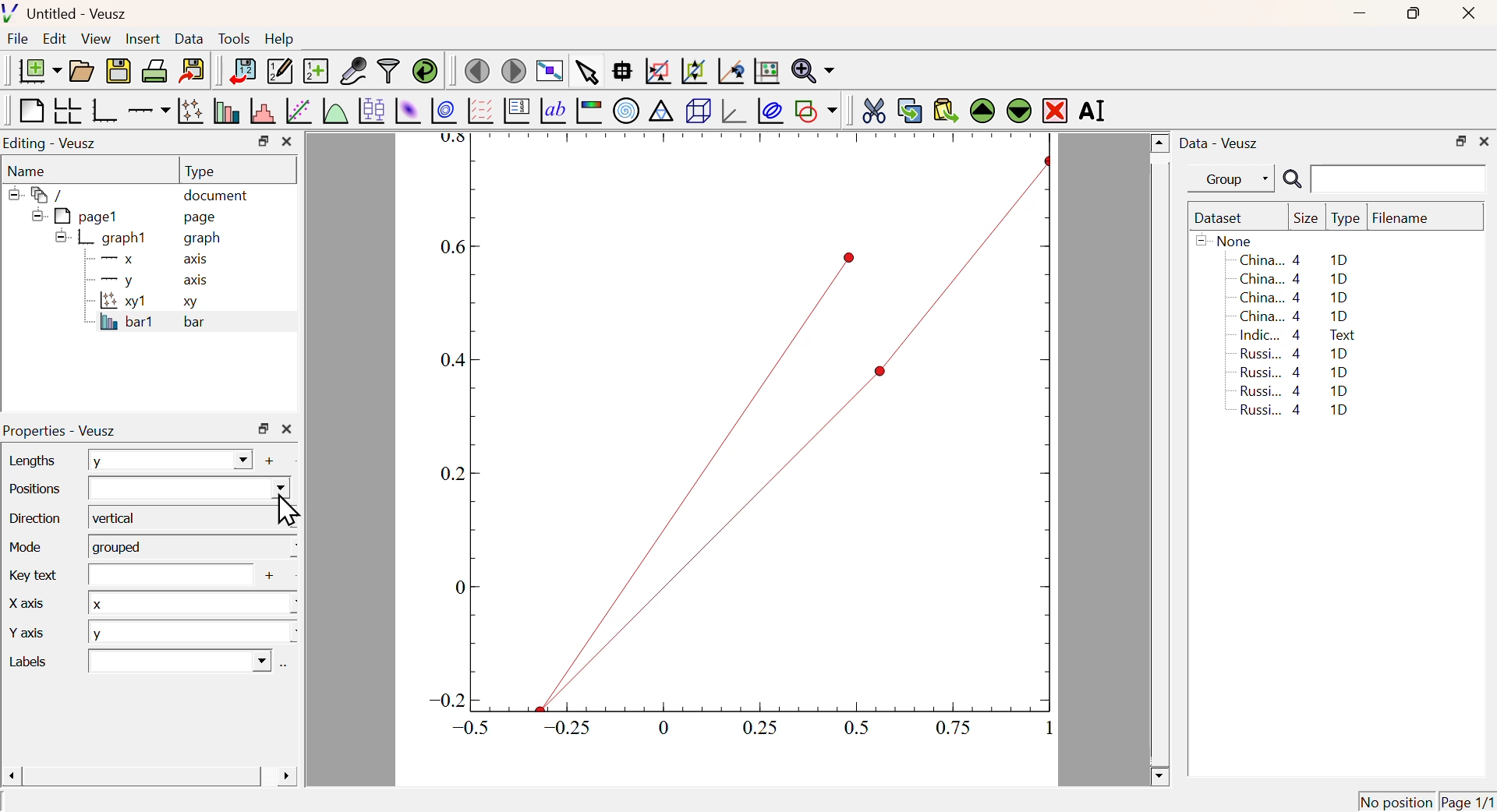 The height and width of the screenshot is (812, 1497). I want to click on Open a document, so click(80, 71).